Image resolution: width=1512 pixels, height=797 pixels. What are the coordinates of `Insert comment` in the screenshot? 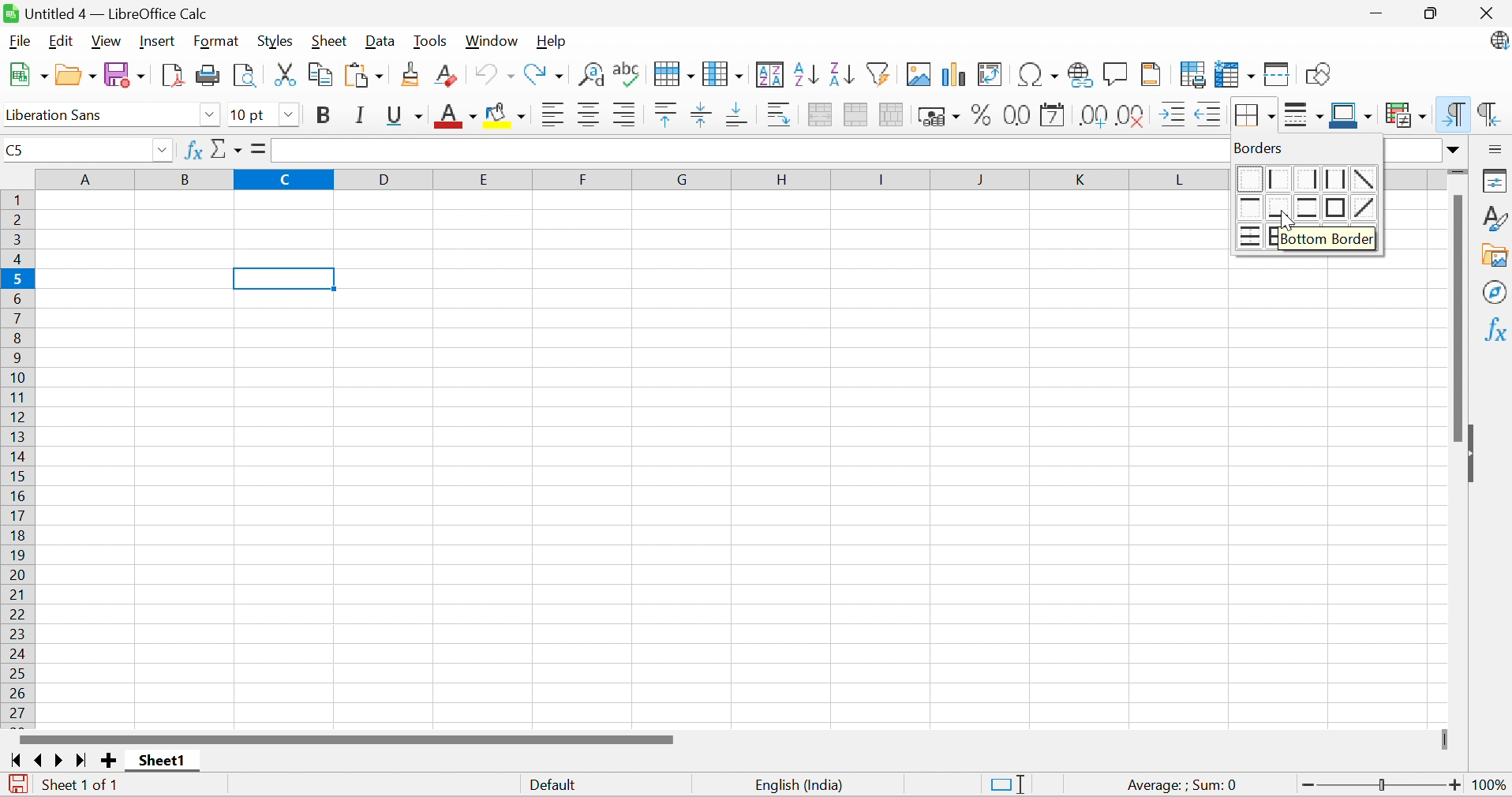 It's located at (1116, 75).